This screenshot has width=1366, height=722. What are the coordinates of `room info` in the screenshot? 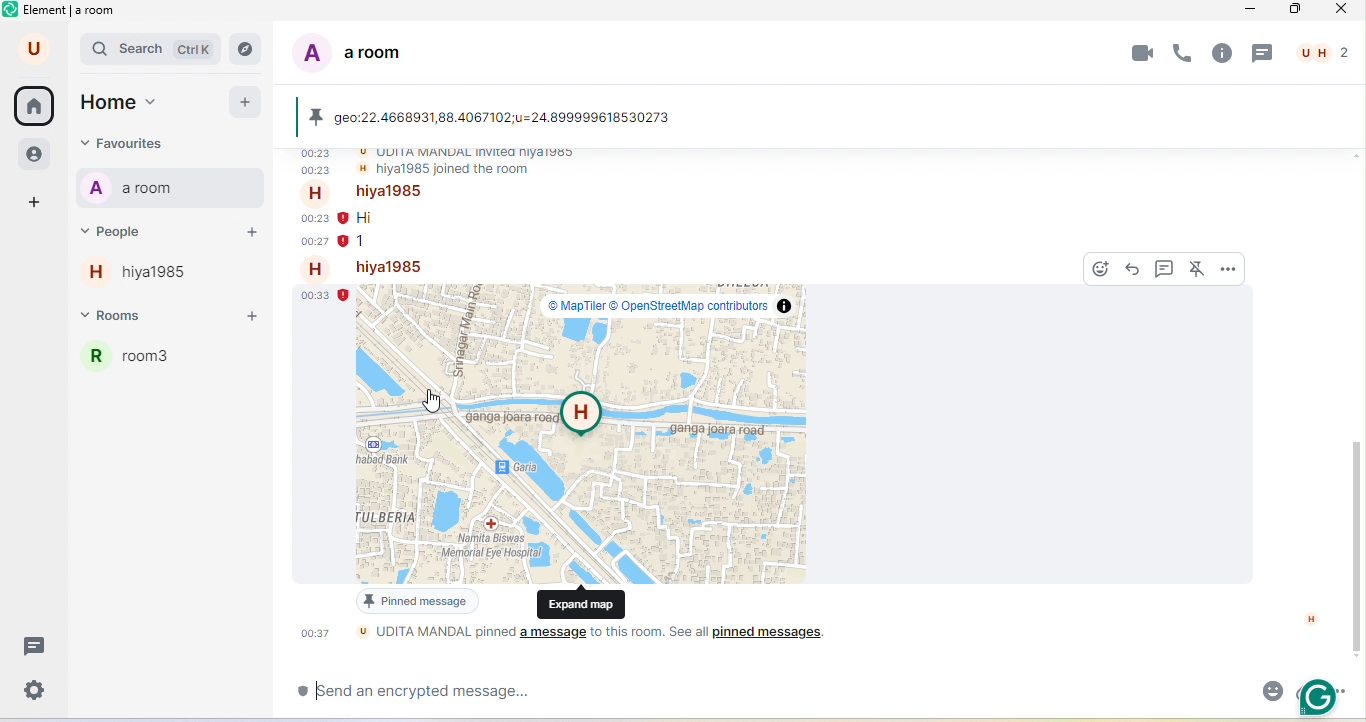 It's located at (1222, 53).